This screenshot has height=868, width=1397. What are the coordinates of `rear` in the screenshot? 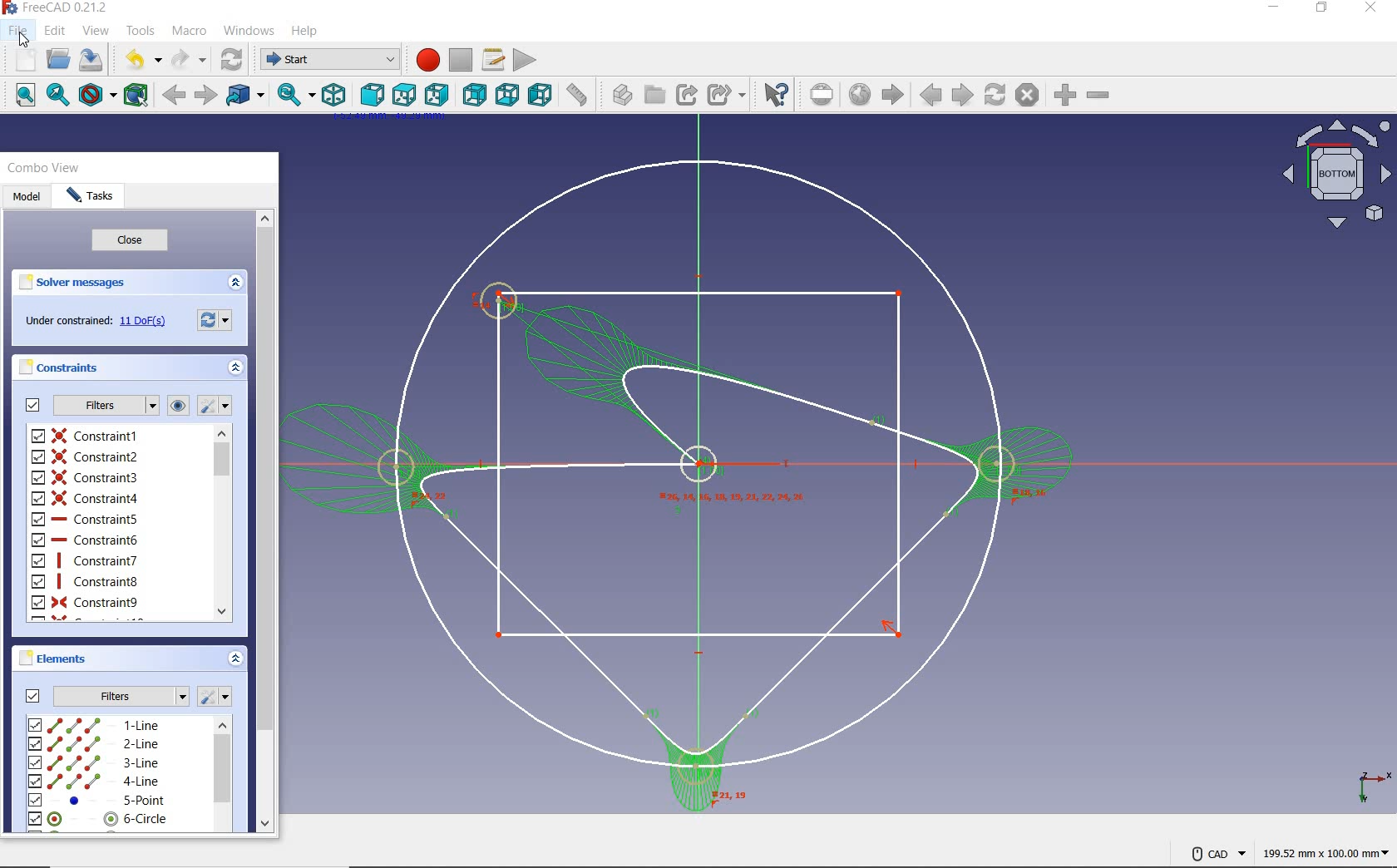 It's located at (476, 96).